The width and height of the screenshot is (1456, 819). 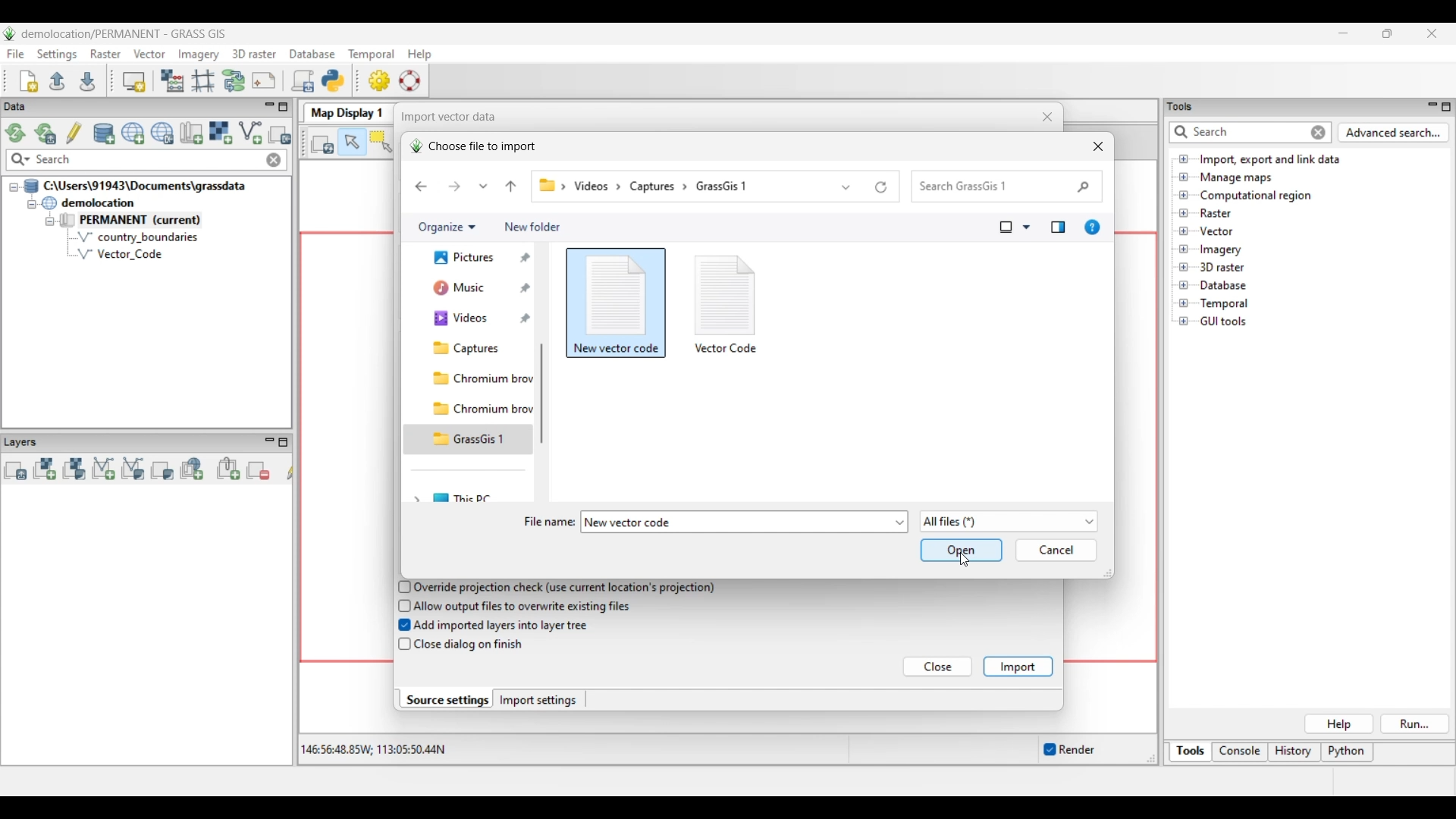 What do you see at coordinates (303, 80) in the screenshot?
I see `Launch user-defined script` at bounding box center [303, 80].